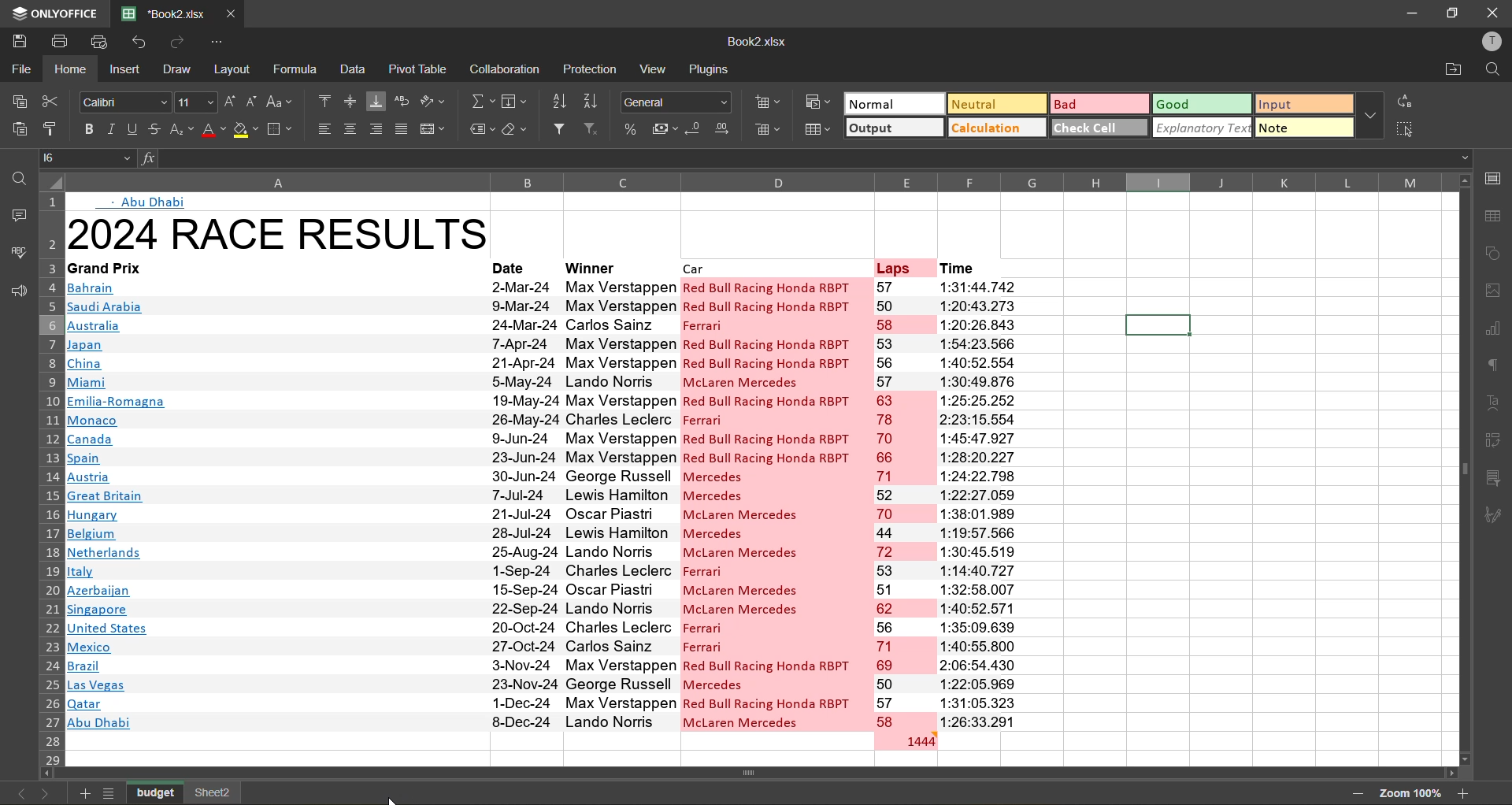 The width and height of the screenshot is (1512, 805). What do you see at coordinates (1403, 100) in the screenshot?
I see `replace` at bounding box center [1403, 100].